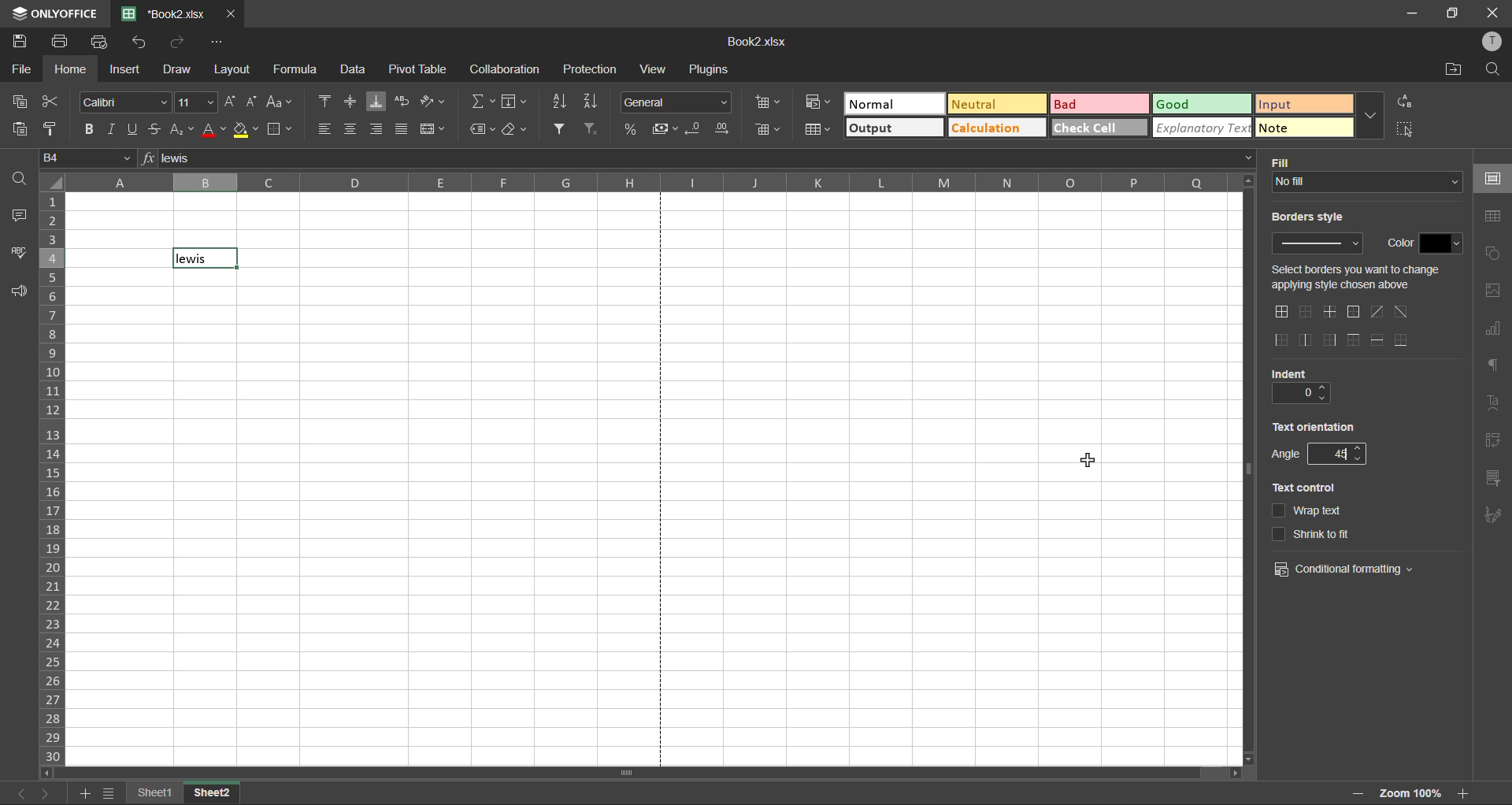 The height and width of the screenshot is (805, 1512). I want to click on row numbers, so click(52, 478).